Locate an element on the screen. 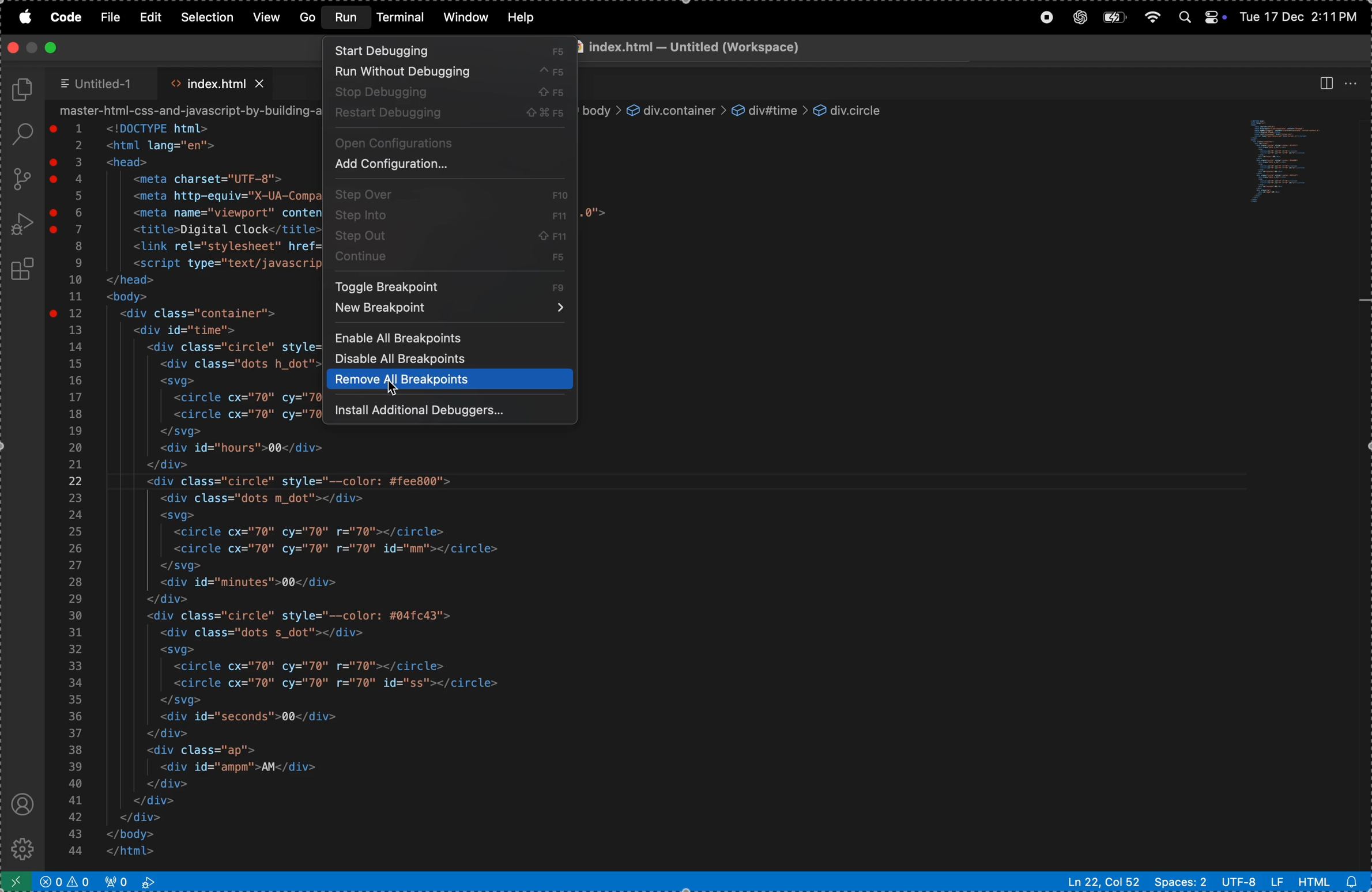  new break point is located at coordinates (450, 312).